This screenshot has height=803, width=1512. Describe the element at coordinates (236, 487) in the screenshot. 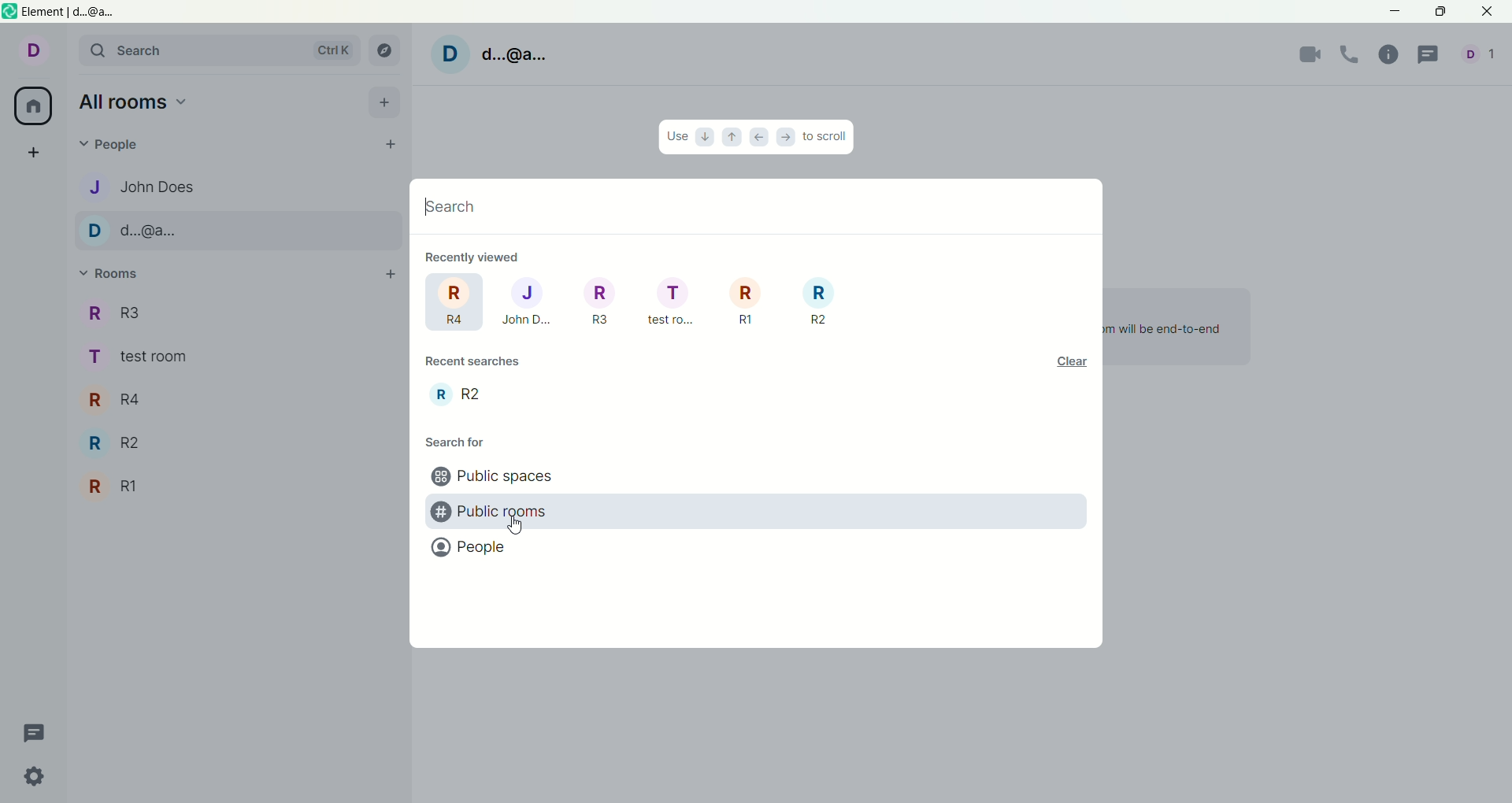

I see `R1` at that location.